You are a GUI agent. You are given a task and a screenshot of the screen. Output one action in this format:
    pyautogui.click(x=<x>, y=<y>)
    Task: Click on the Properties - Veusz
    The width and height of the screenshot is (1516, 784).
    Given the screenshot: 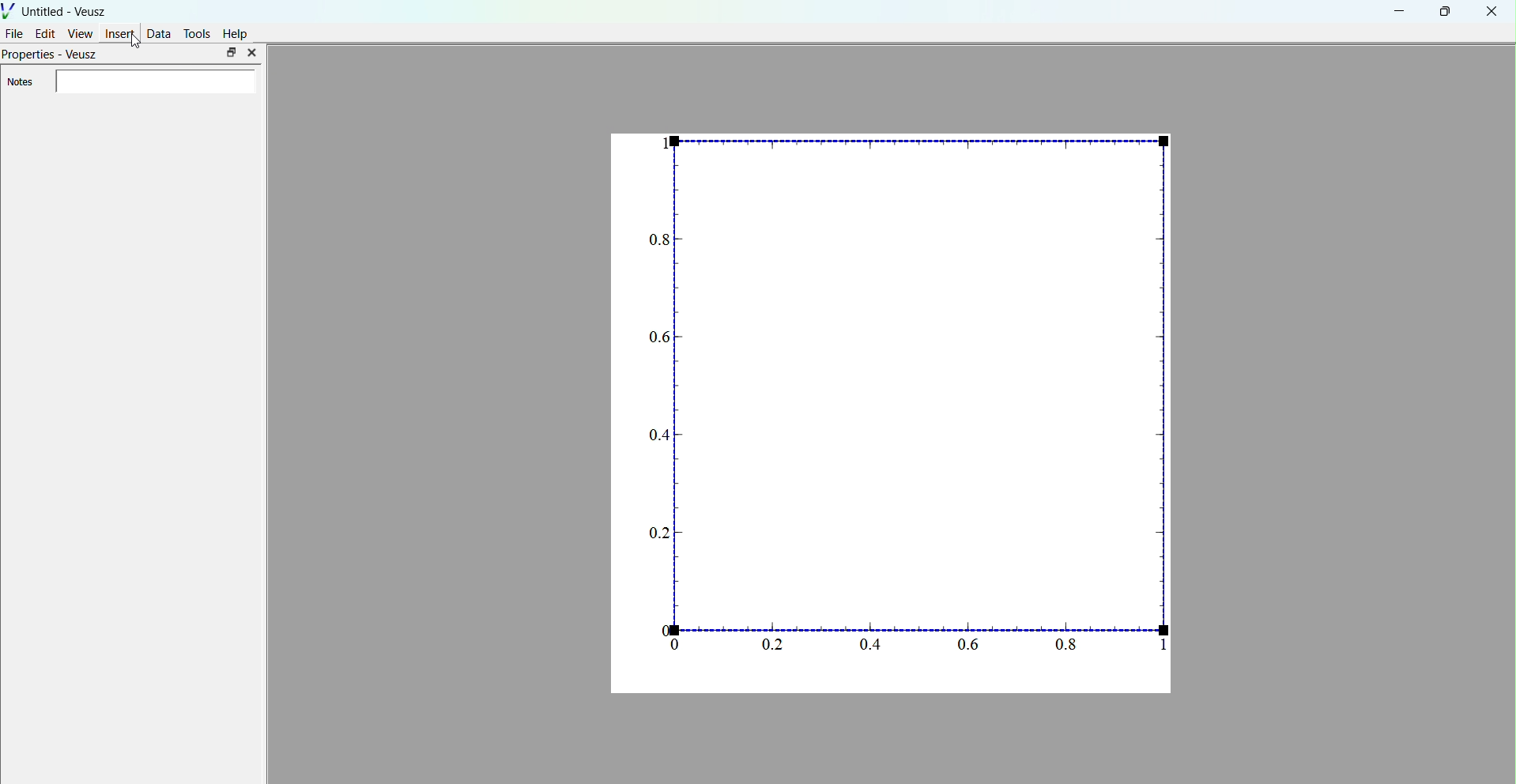 What is the action you would take?
    pyautogui.click(x=52, y=56)
    